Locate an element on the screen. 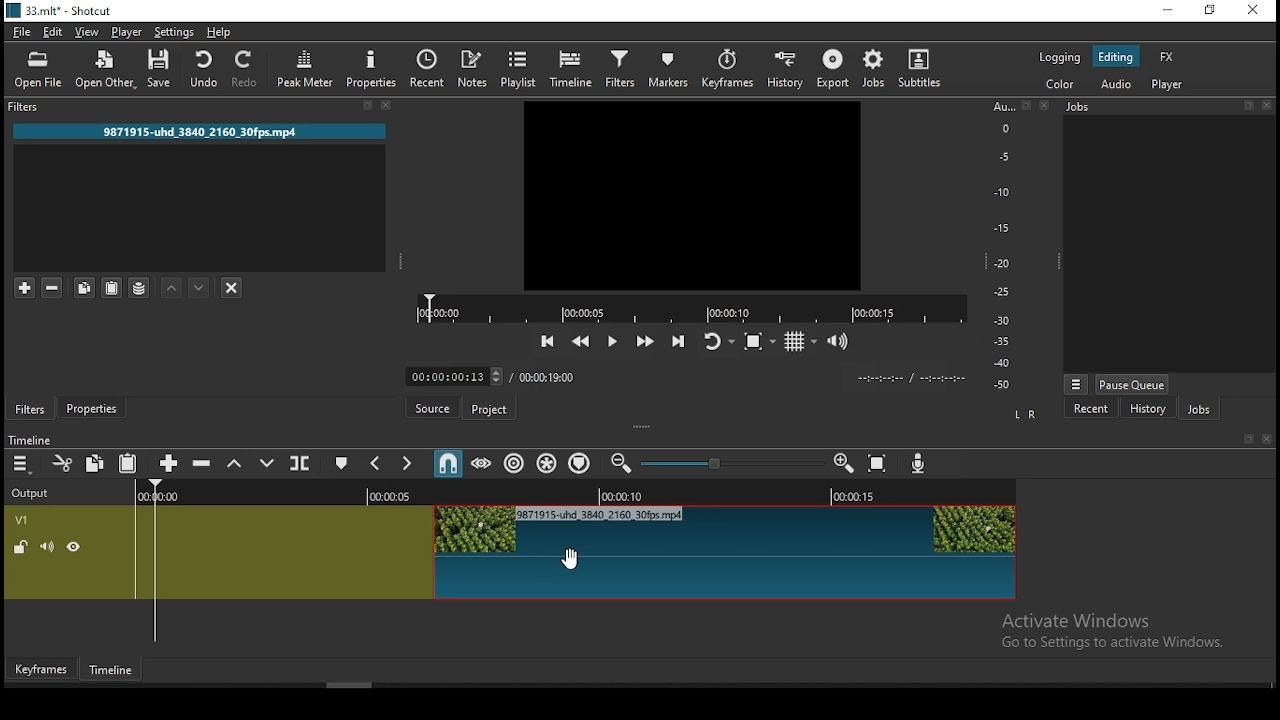  edit is located at coordinates (54, 32).